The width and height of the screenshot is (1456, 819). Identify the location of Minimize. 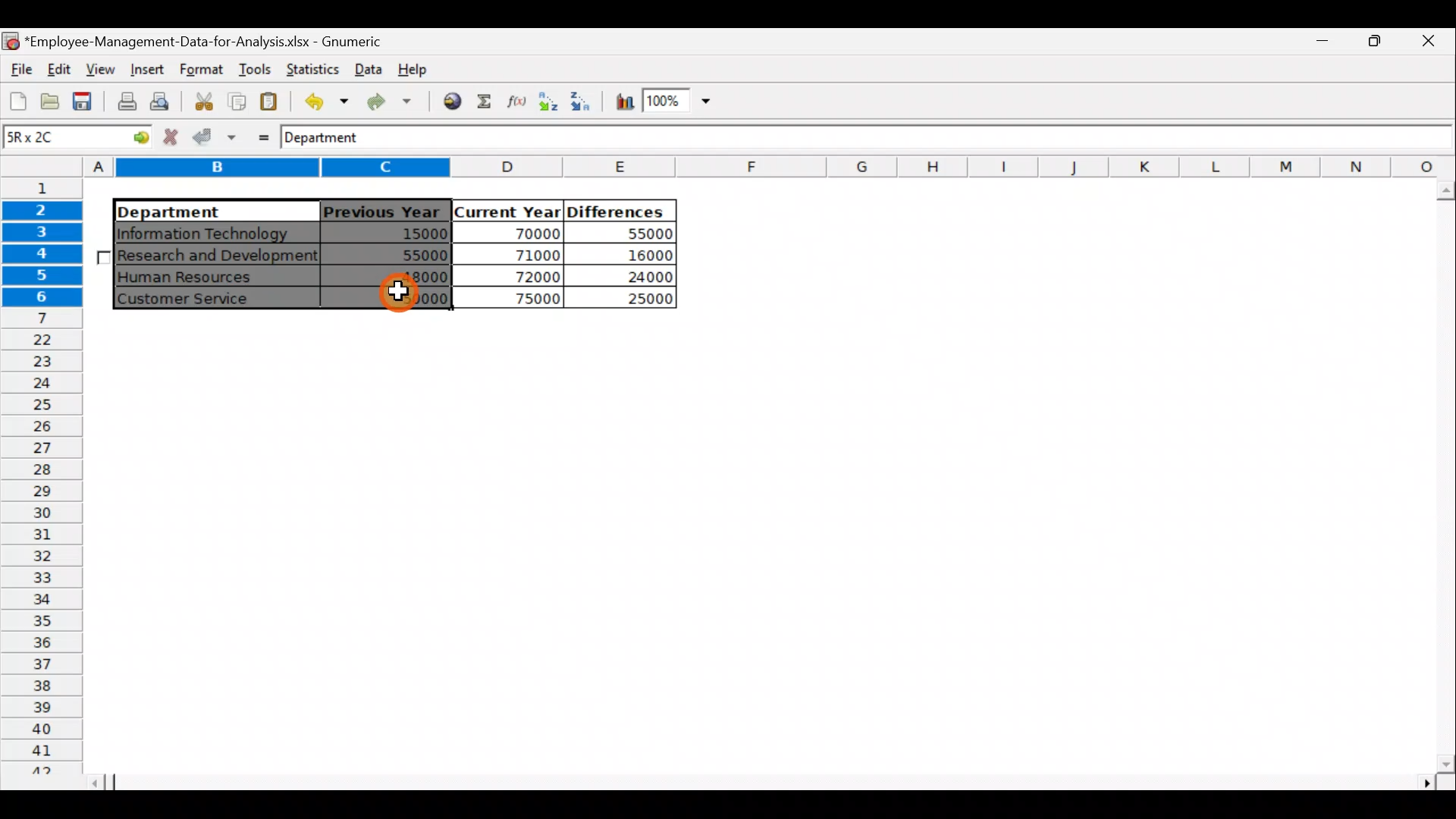
(1376, 46).